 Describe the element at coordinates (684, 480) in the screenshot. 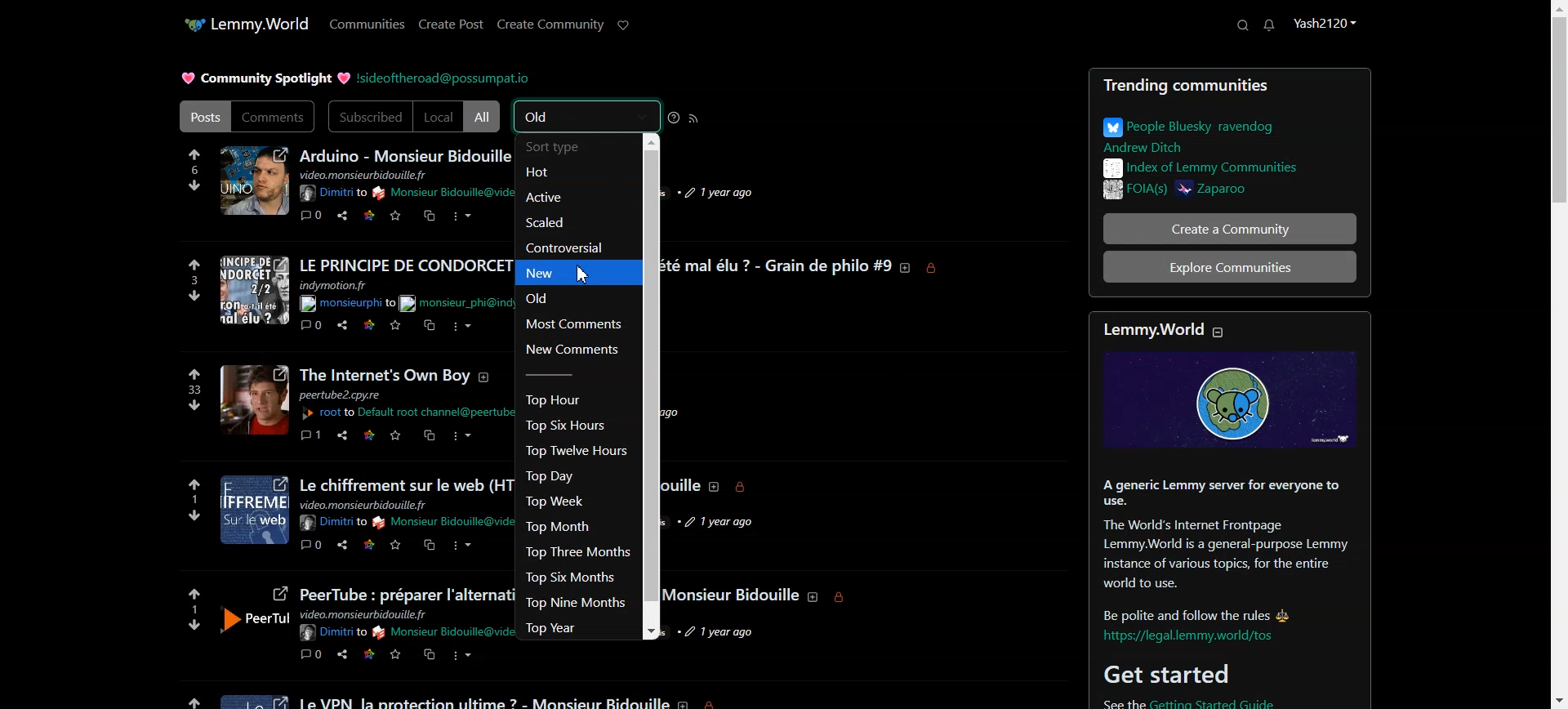

I see `text` at that location.